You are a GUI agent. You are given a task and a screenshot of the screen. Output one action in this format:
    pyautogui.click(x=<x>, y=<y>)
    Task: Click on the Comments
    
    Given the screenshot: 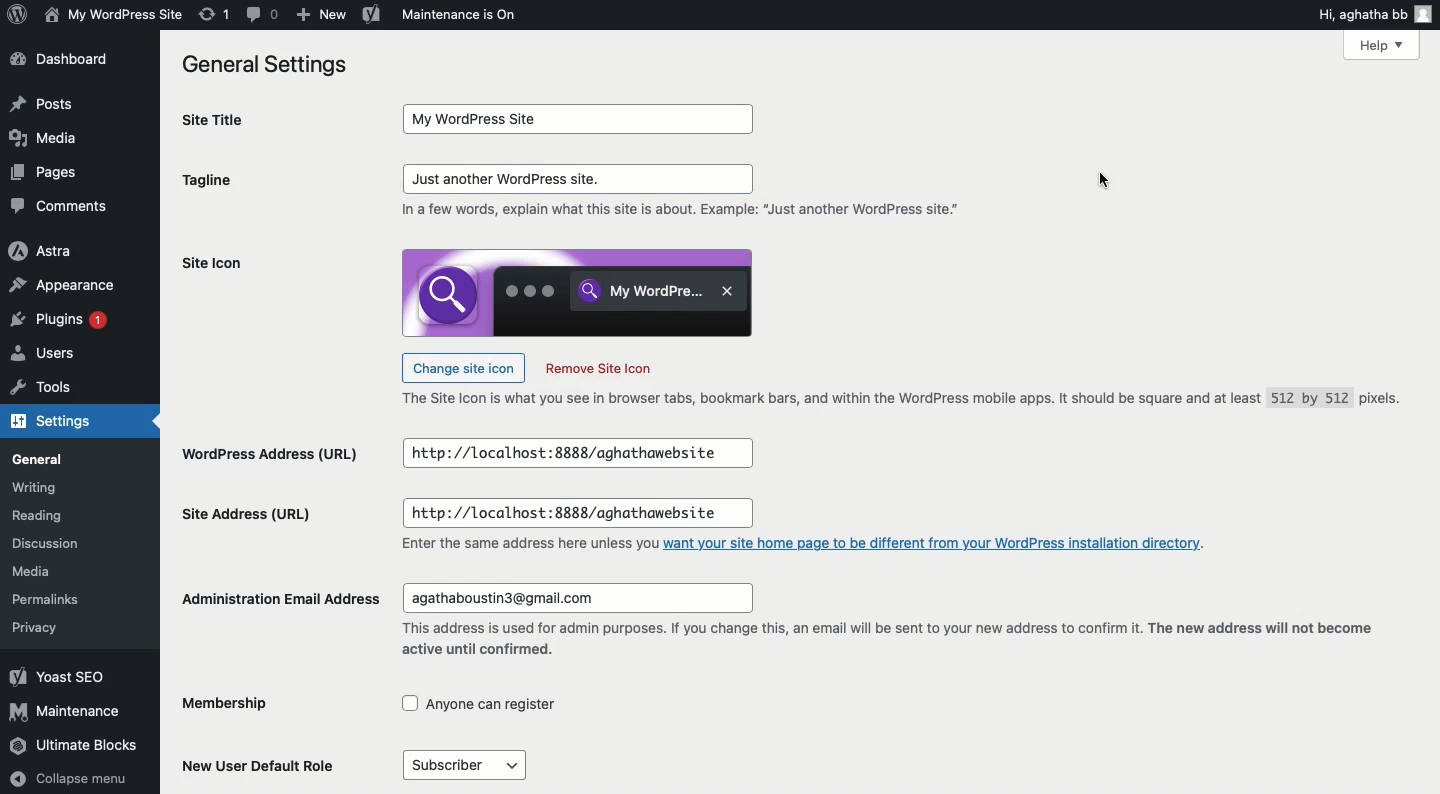 What is the action you would take?
    pyautogui.click(x=60, y=206)
    